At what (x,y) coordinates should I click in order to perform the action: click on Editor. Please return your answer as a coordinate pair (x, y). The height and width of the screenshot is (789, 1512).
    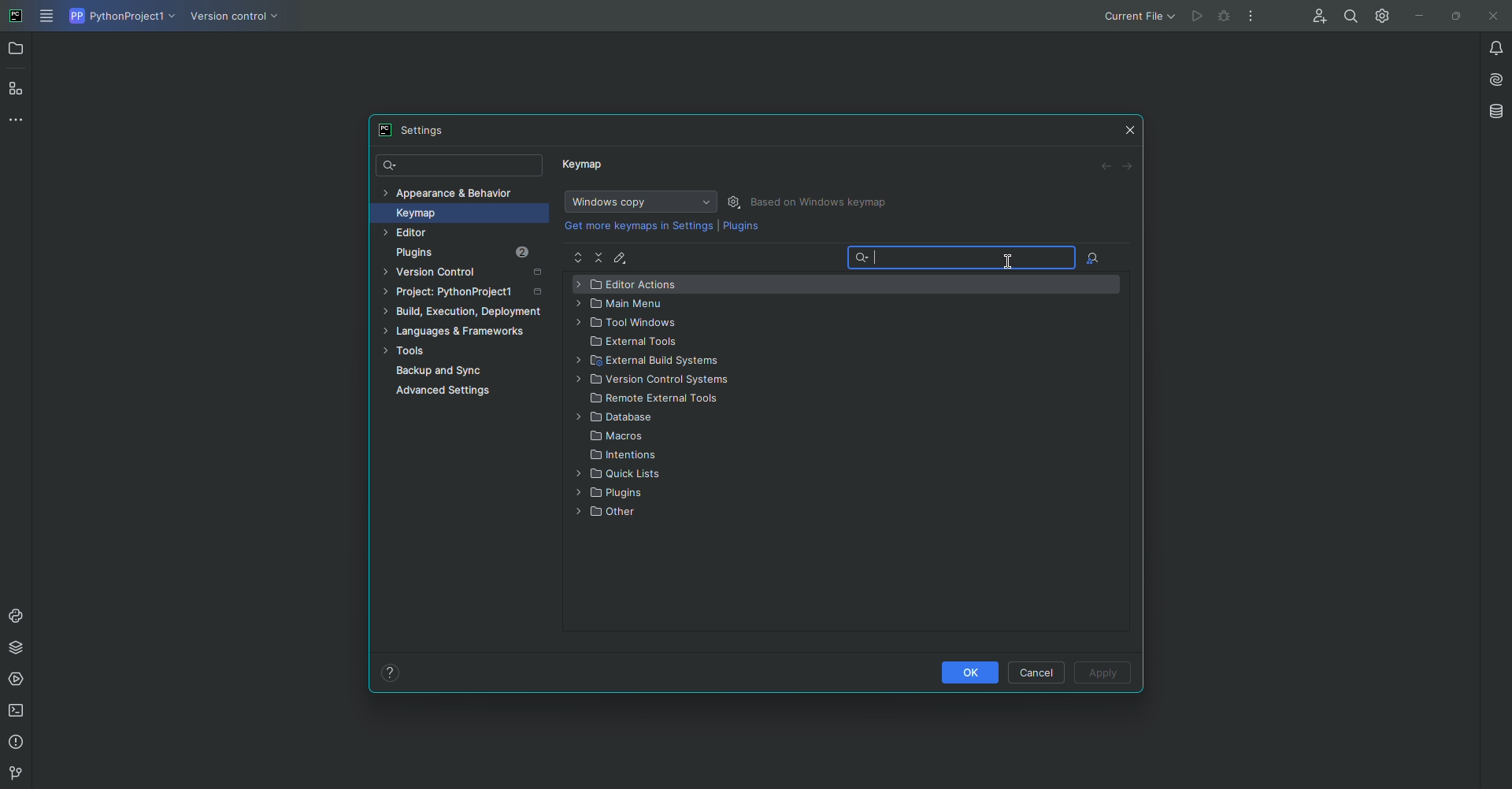
    Looking at the image, I should click on (439, 233).